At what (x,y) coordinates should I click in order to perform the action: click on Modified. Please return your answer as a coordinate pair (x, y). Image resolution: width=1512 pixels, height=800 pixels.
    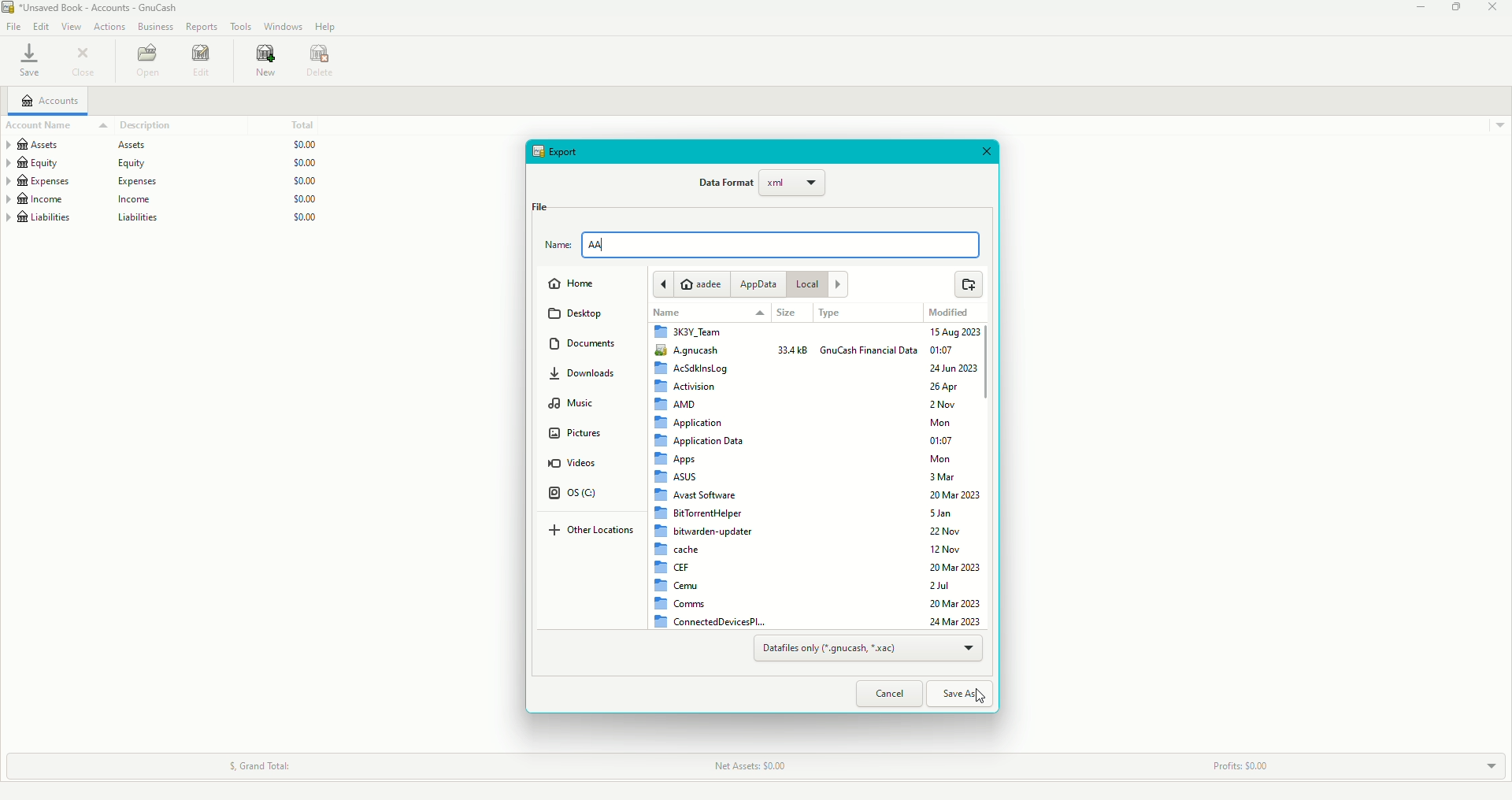
    Looking at the image, I should click on (951, 313).